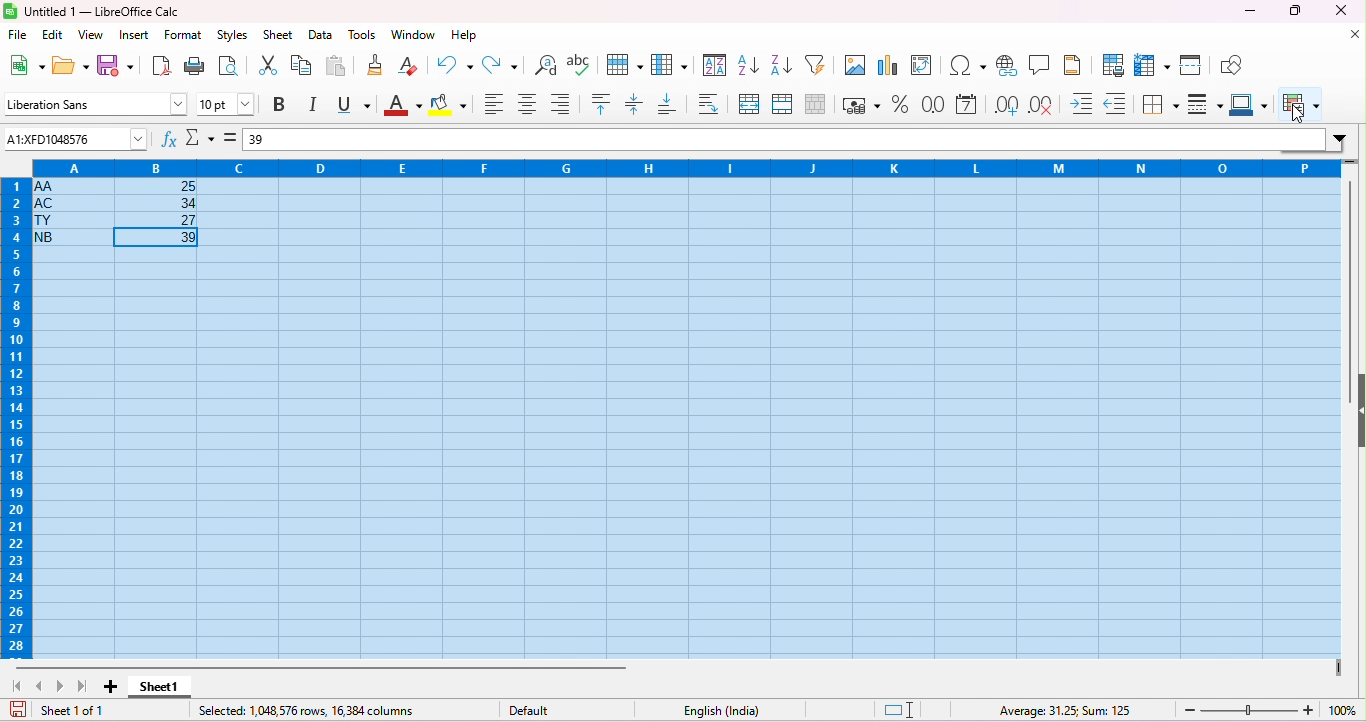 Image resolution: width=1366 pixels, height=722 pixels. I want to click on wrap, so click(704, 103).